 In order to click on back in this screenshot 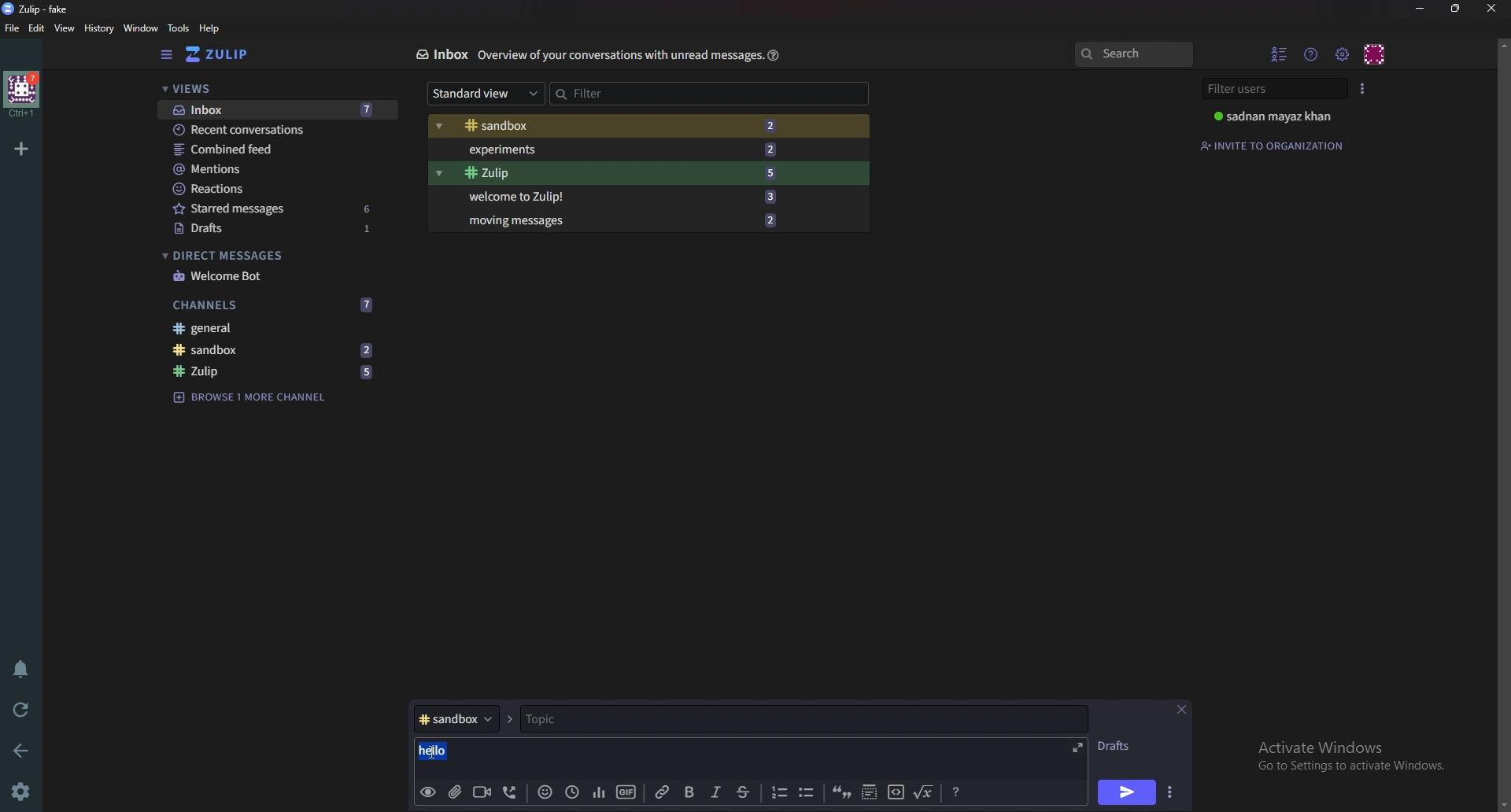, I will do `click(22, 751)`.